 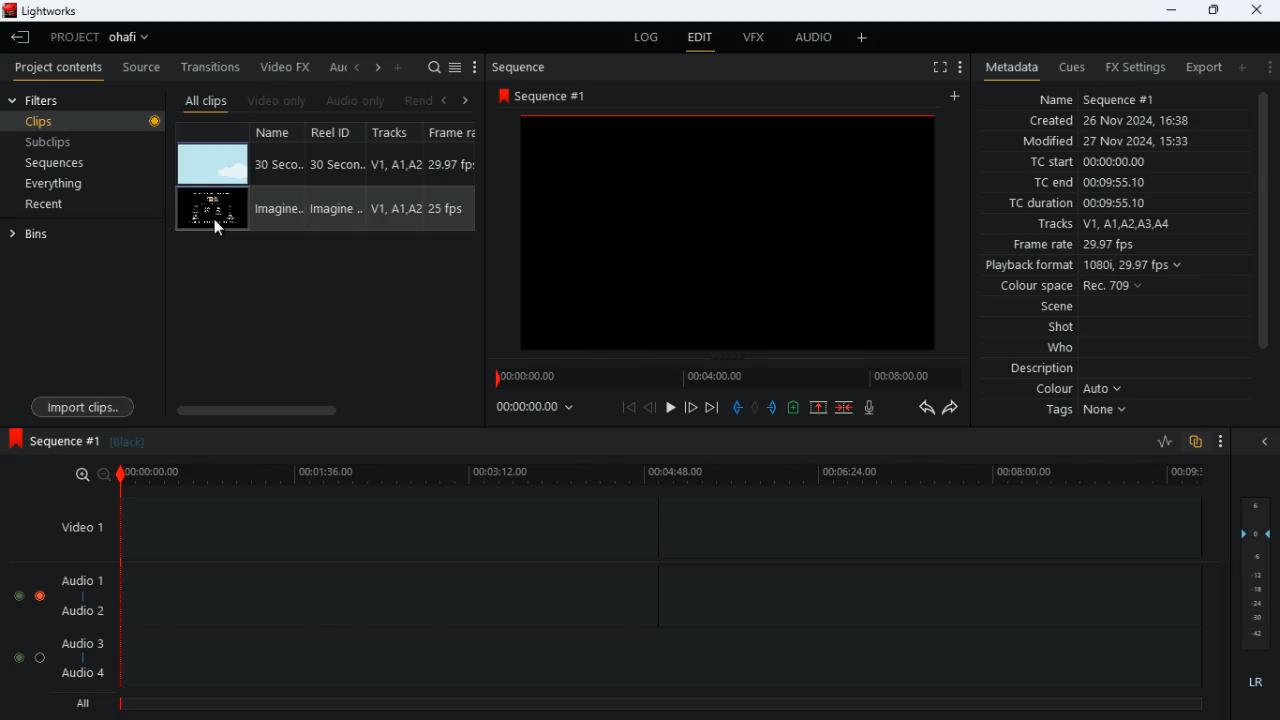 I want to click on video 1, so click(x=75, y=526).